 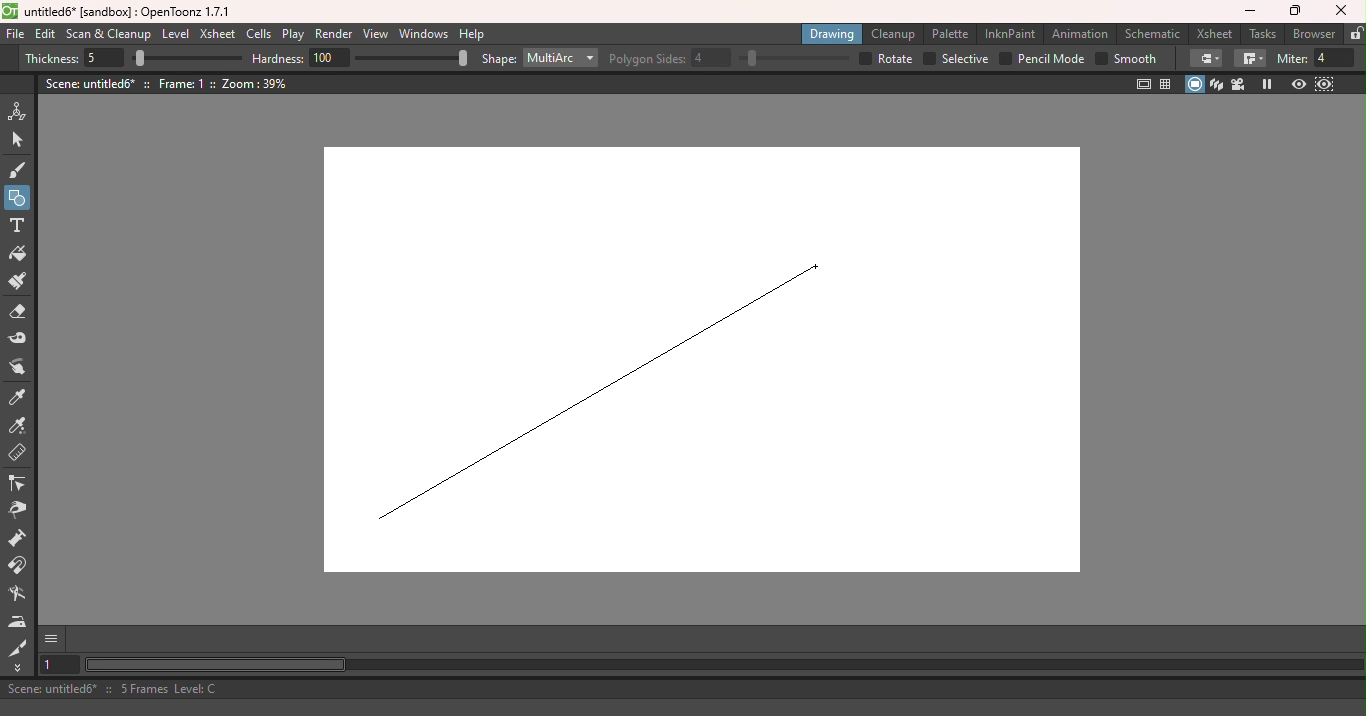 What do you see at coordinates (302, 58) in the screenshot?
I see `Hardness` at bounding box center [302, 58].